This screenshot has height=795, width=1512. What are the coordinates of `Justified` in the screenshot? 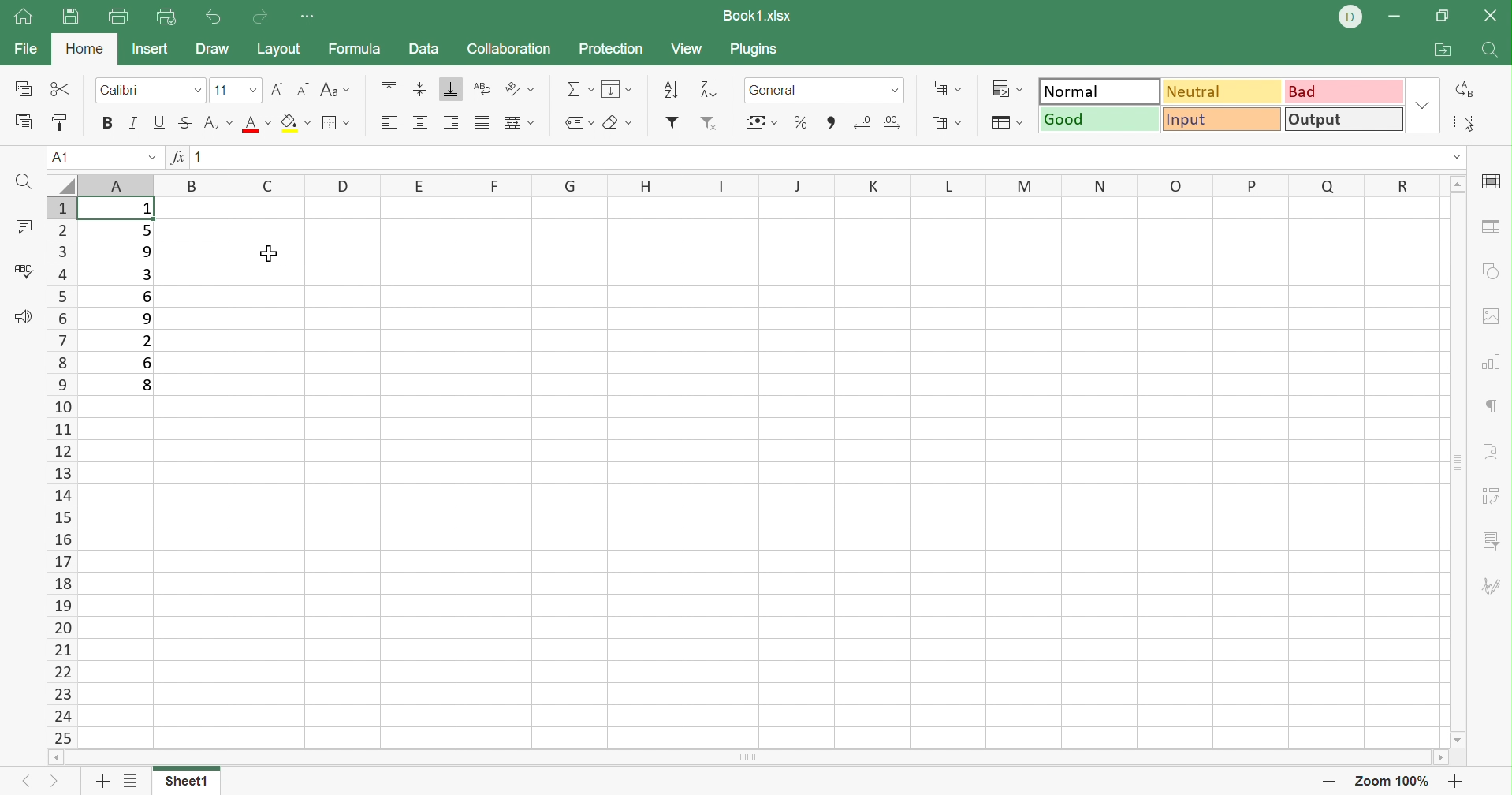 It's located at (483, 123).